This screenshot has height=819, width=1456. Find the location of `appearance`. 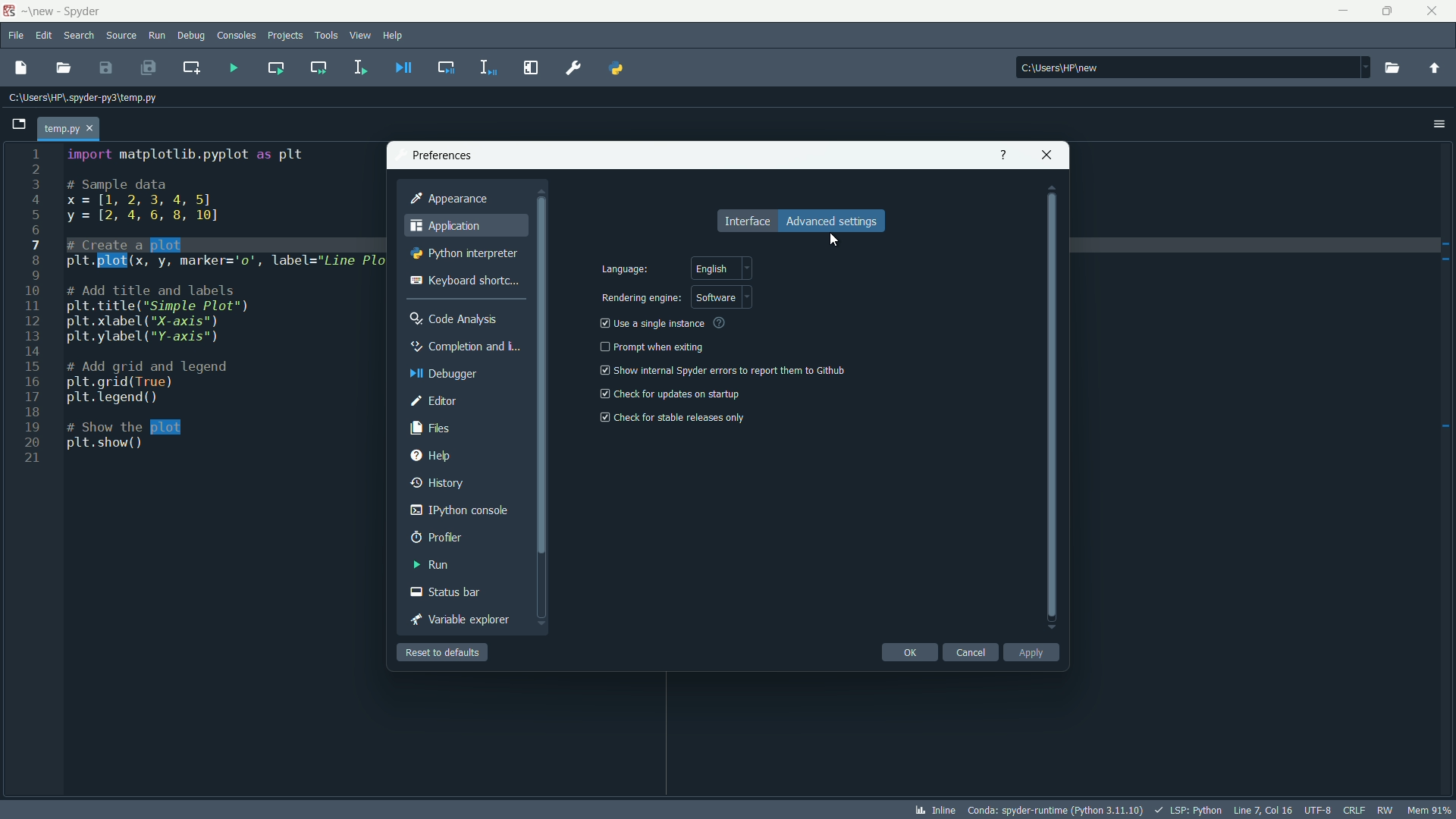

appearance is located at coordinates (450, 198).